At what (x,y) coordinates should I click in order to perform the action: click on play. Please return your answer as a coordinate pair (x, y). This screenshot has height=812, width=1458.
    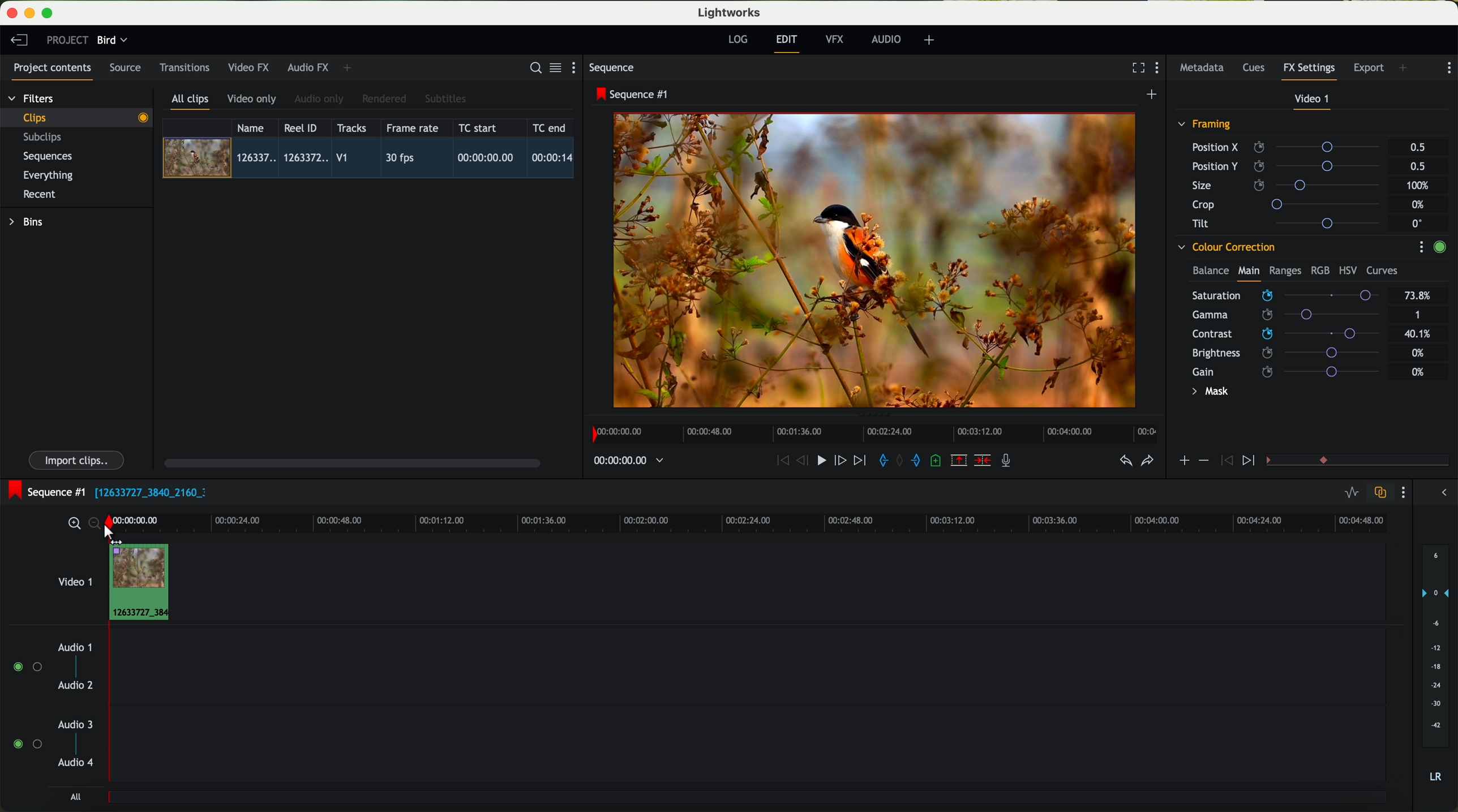
    Looking at the image, I should click on (821, 459).